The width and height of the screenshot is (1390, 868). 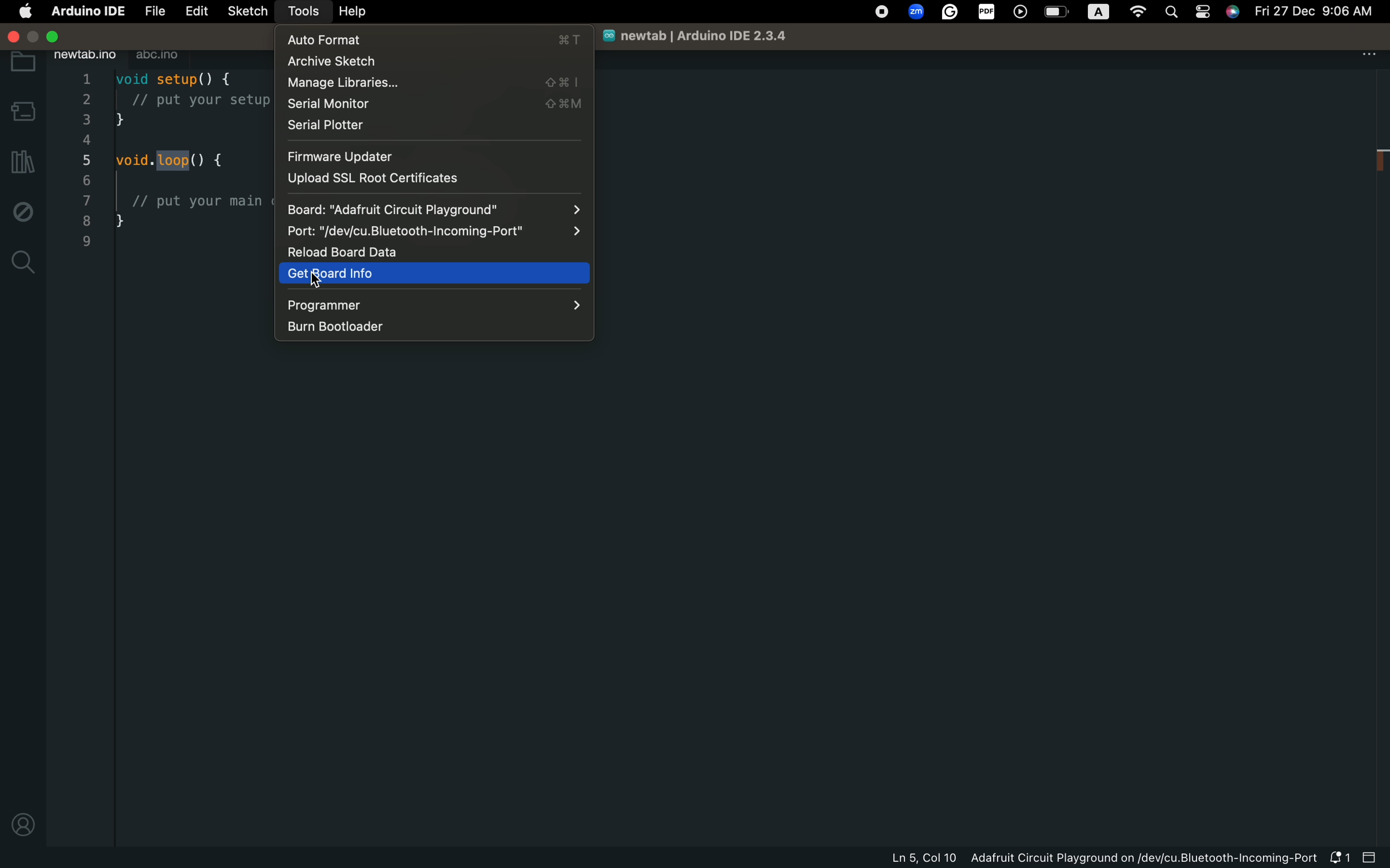 I want to click on debug, so click(x=21, y=211).